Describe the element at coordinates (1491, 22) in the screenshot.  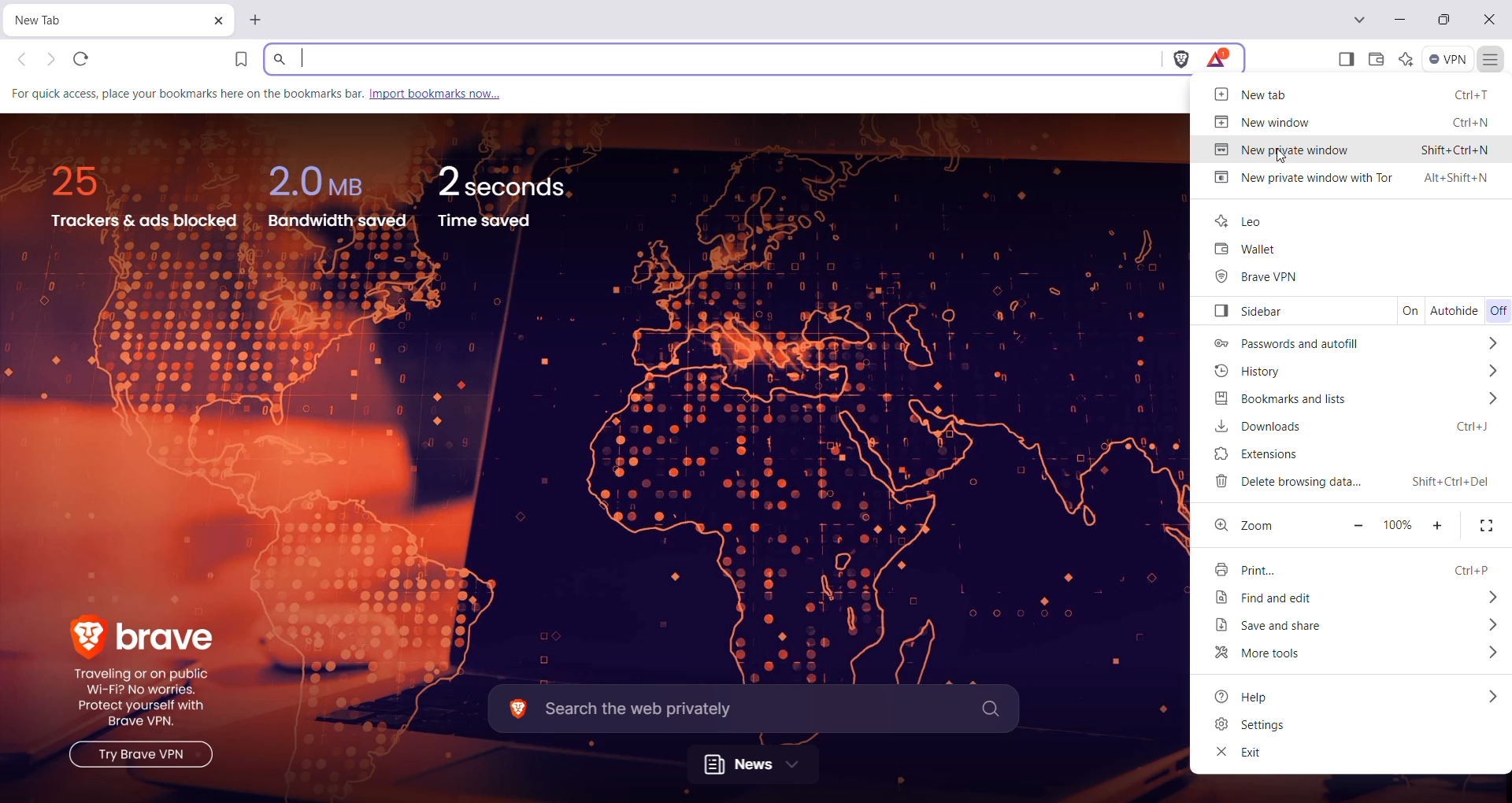
I see `Close` at that location.